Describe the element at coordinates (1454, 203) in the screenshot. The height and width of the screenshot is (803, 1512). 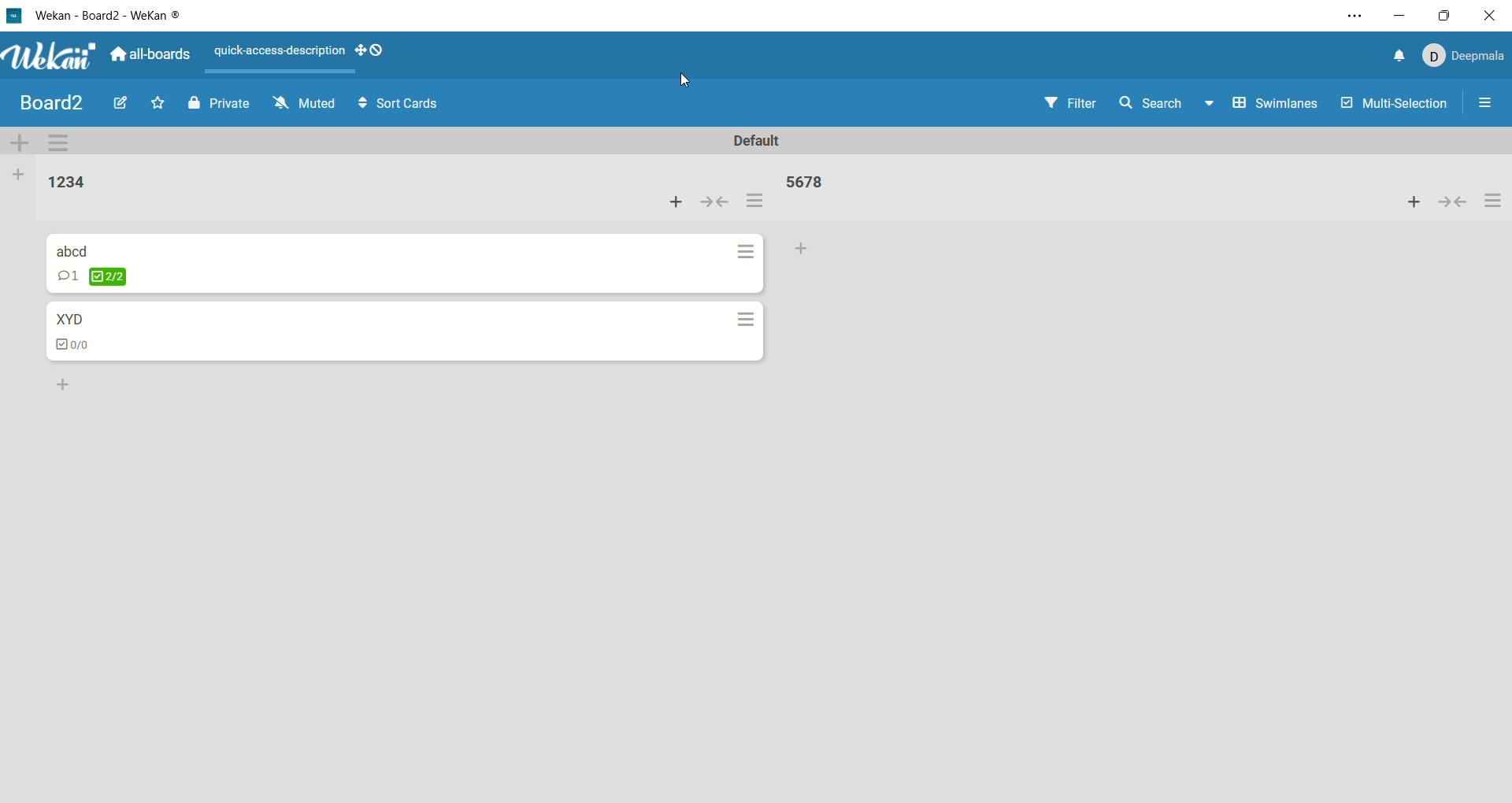
I see `collapse` at that location.